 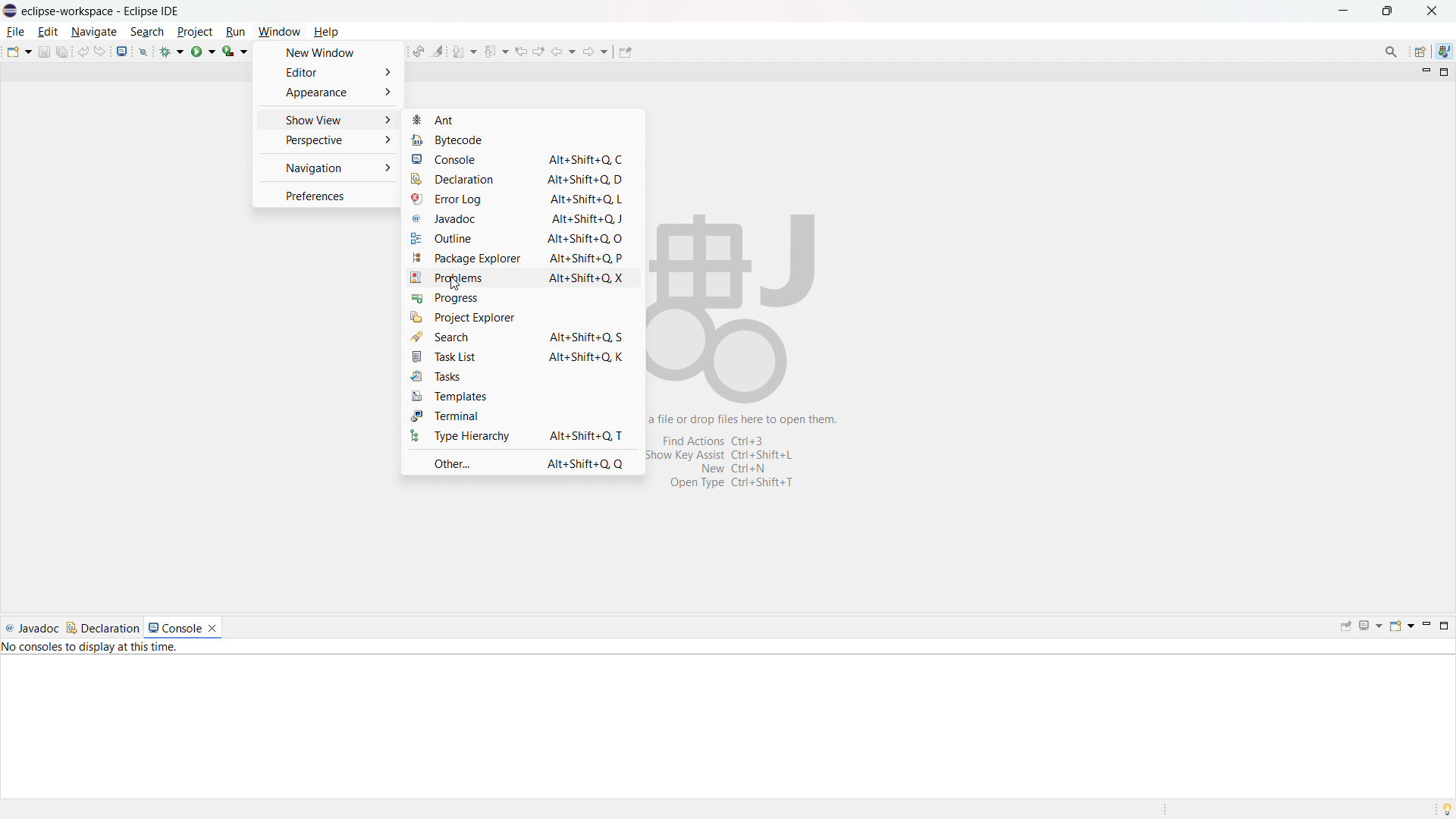 What do you see at coordinates (62, 52) in the screenshot?
I see `save all` at bounding box center [62, 52].